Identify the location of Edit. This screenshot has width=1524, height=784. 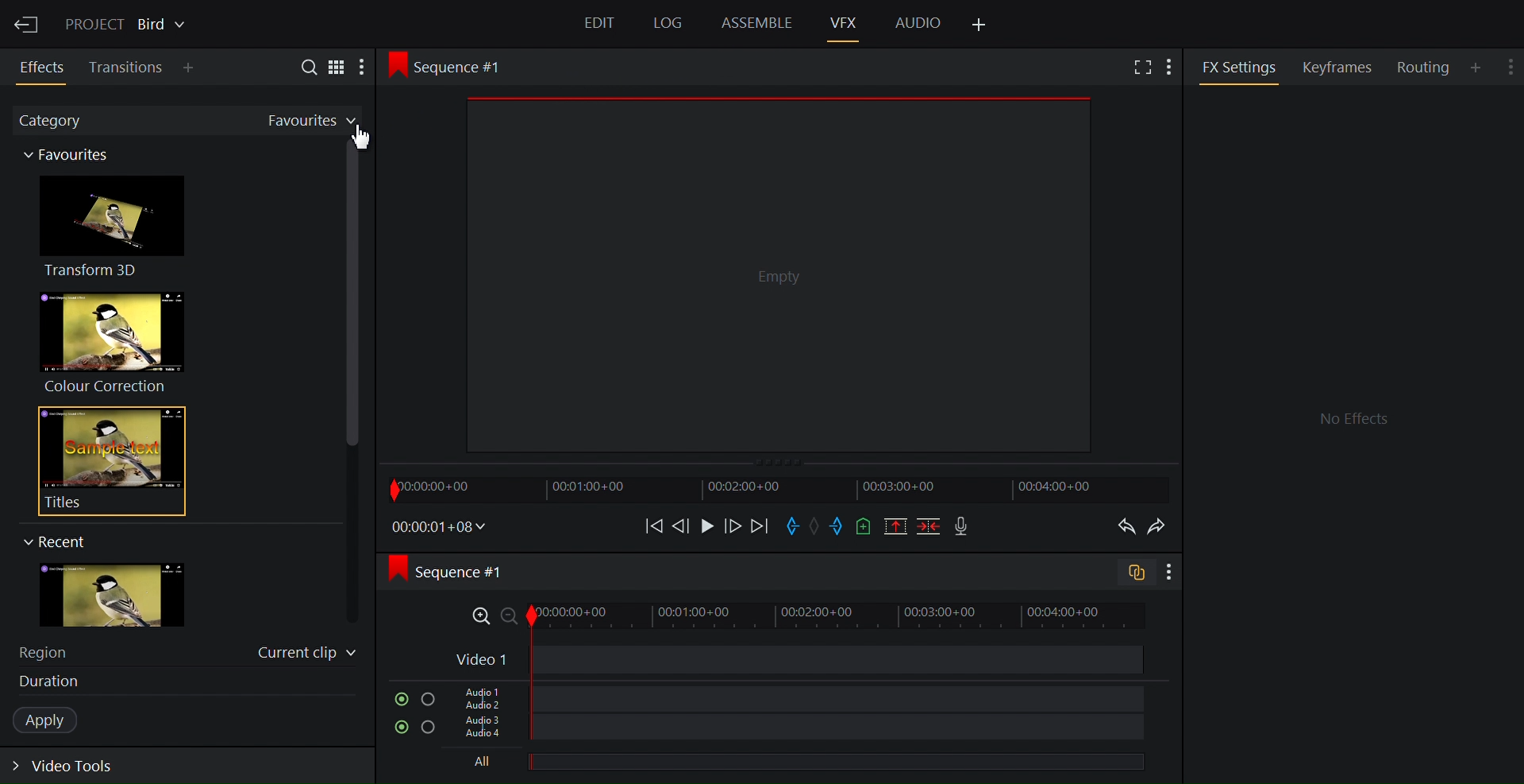
(602, 25).